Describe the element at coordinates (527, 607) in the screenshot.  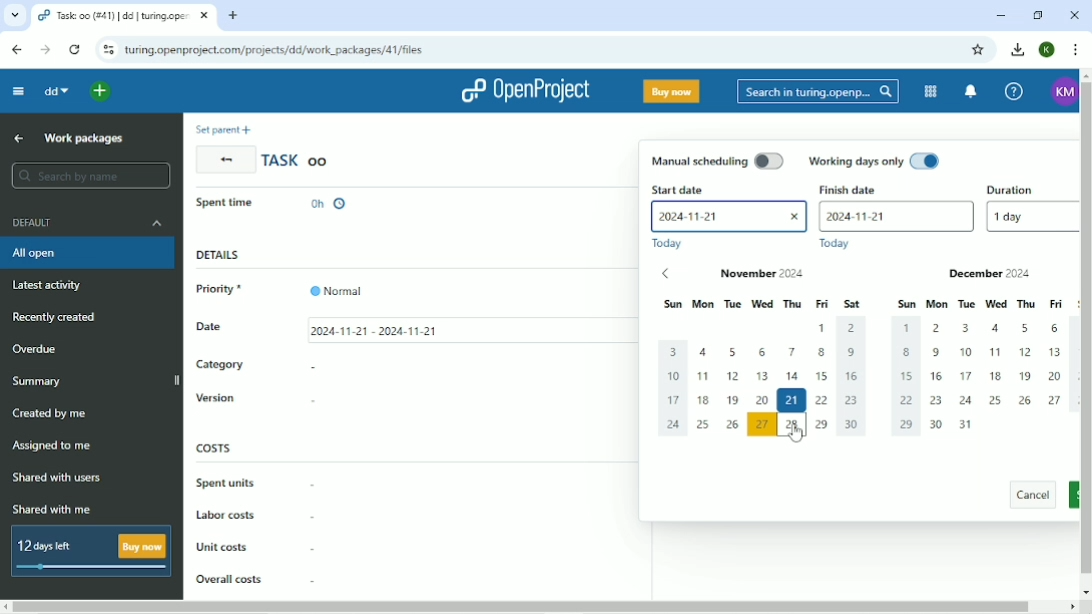
I see `Horizontal scrollbar` at that location.